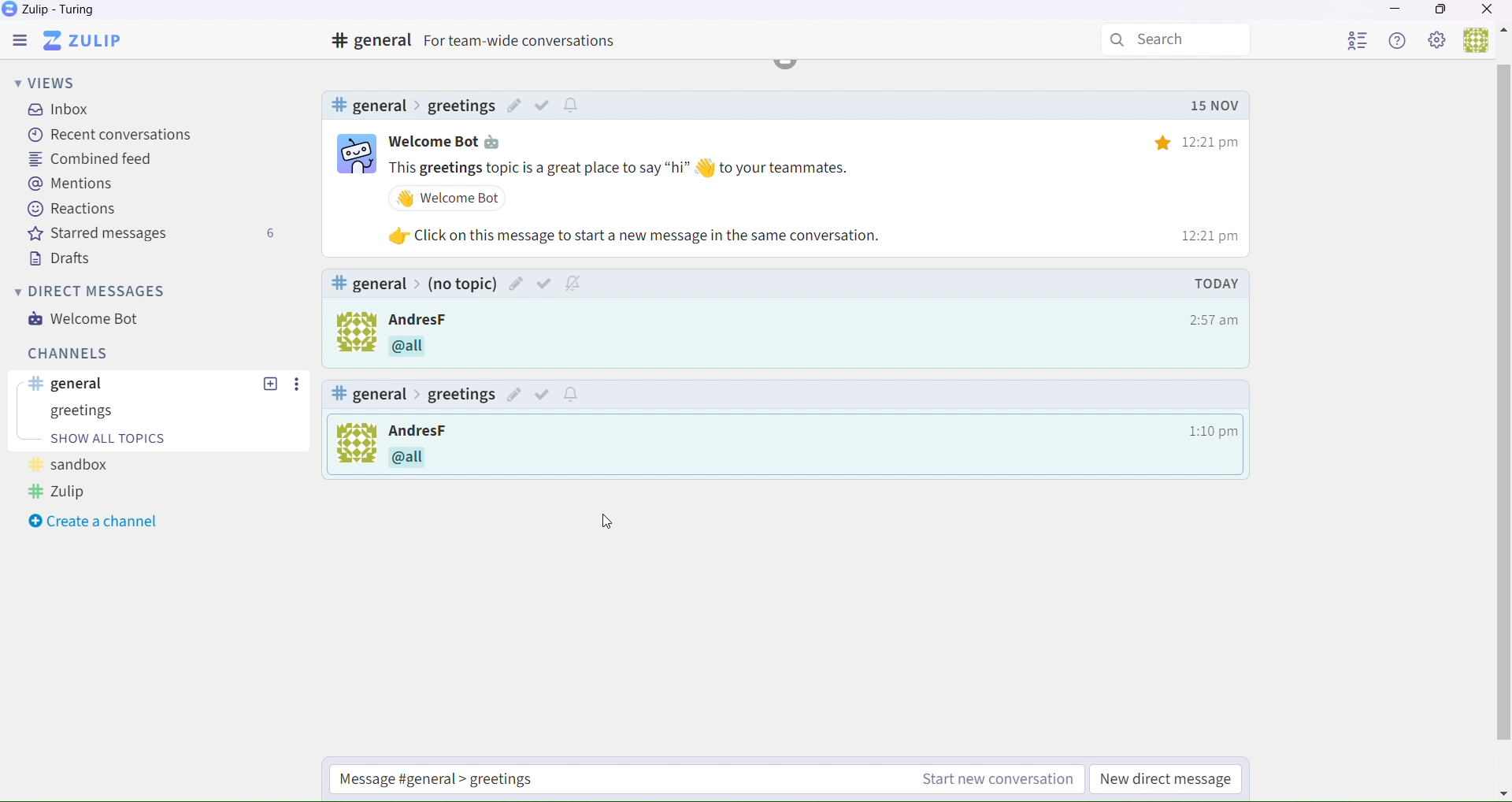 The width and height of the screenshot is (1512, 802). I want to click on , so click(638, 234).